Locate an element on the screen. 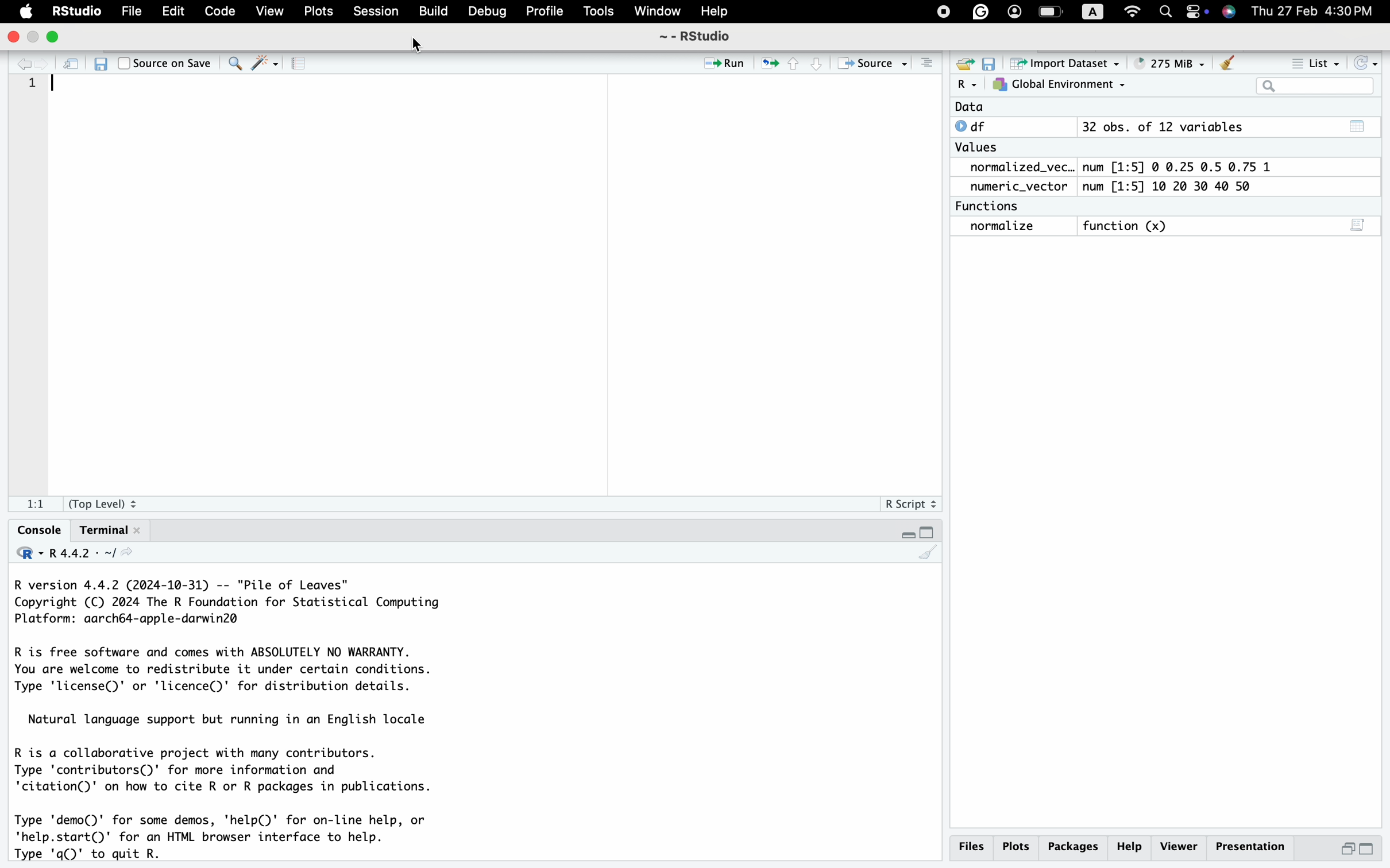 The height and width of the screenshot is (868, 1390). help is located at coordinates (1131, 848).